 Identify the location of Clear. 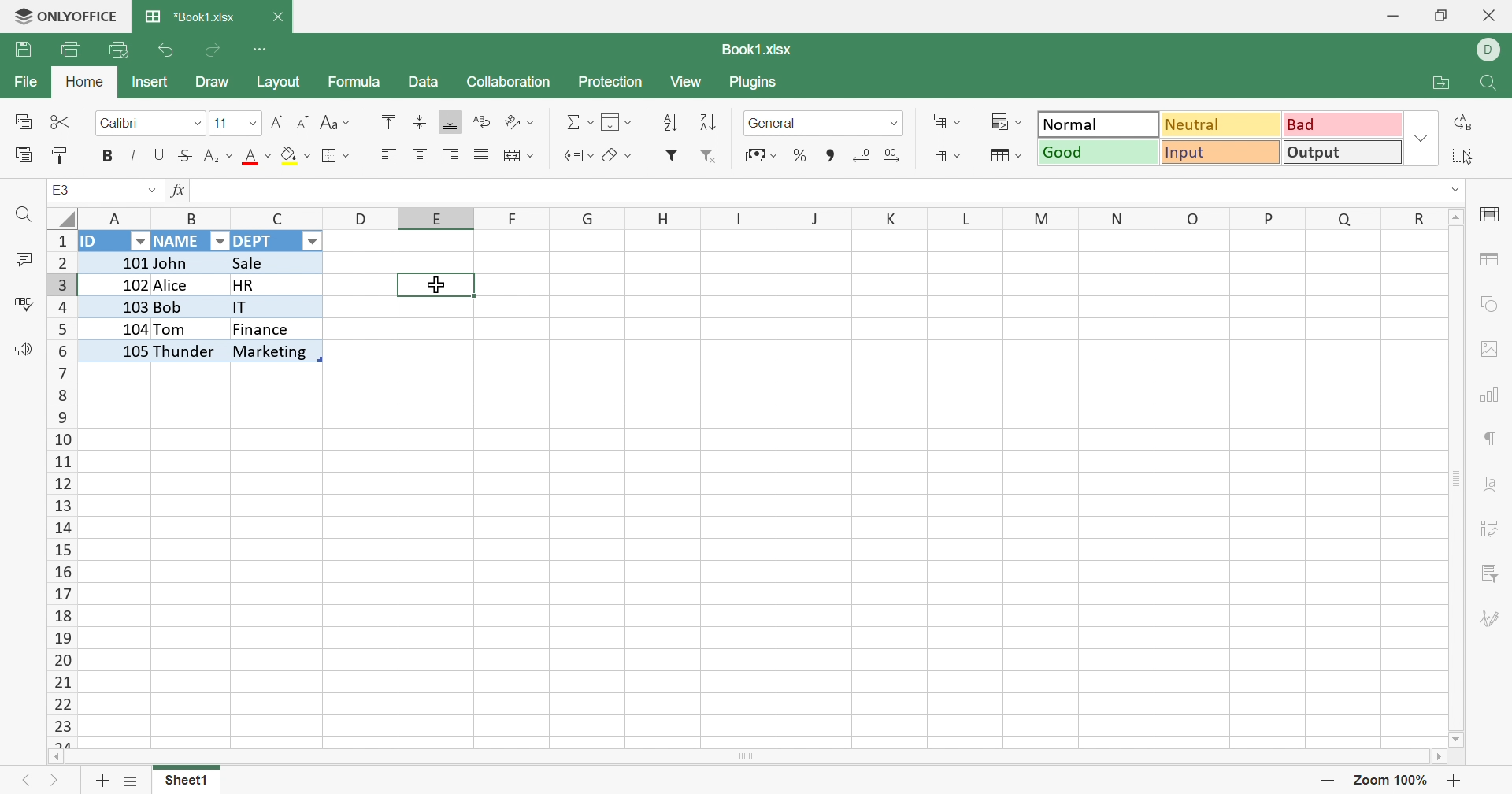
(617, 155).